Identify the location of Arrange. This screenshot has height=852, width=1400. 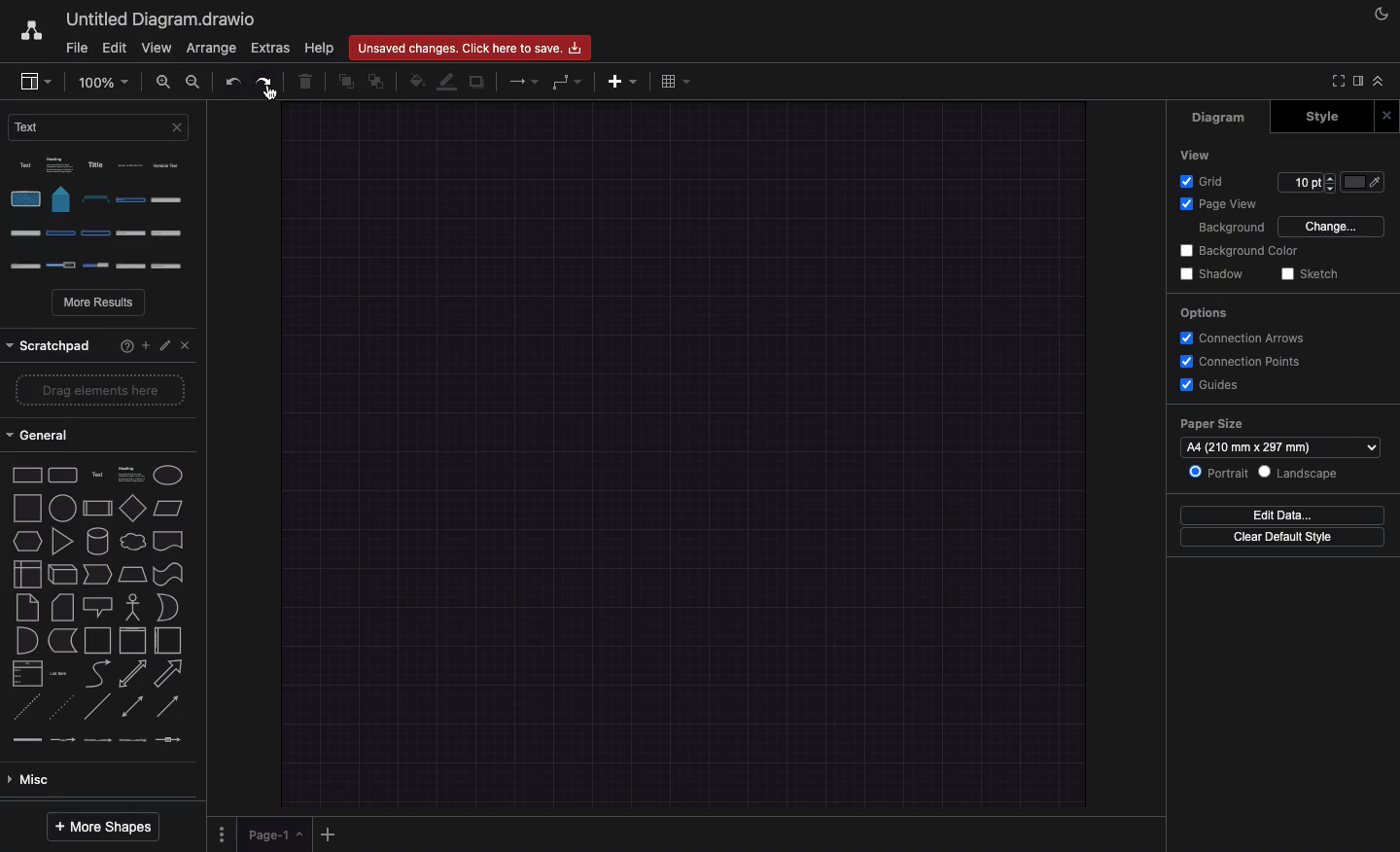
(211, 49).